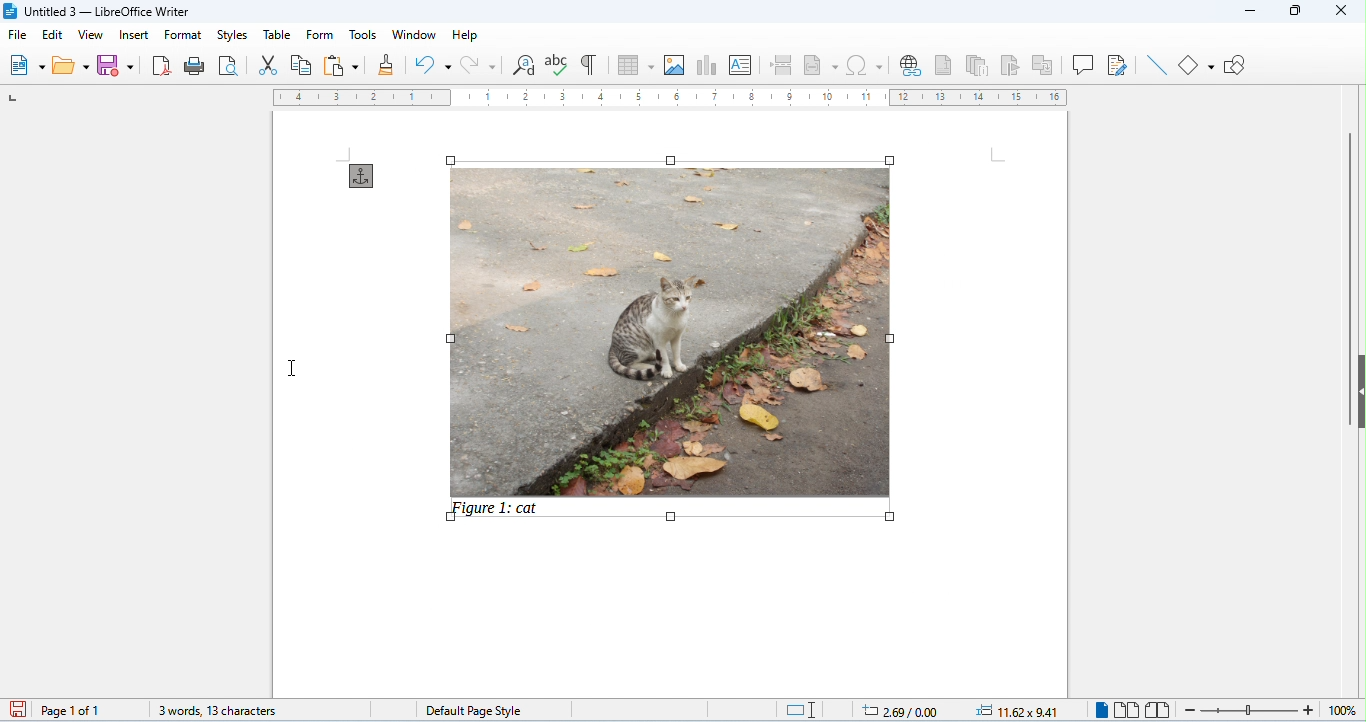 The image size is (1366, 722). I want to click on multi view, so click(1127, 710).